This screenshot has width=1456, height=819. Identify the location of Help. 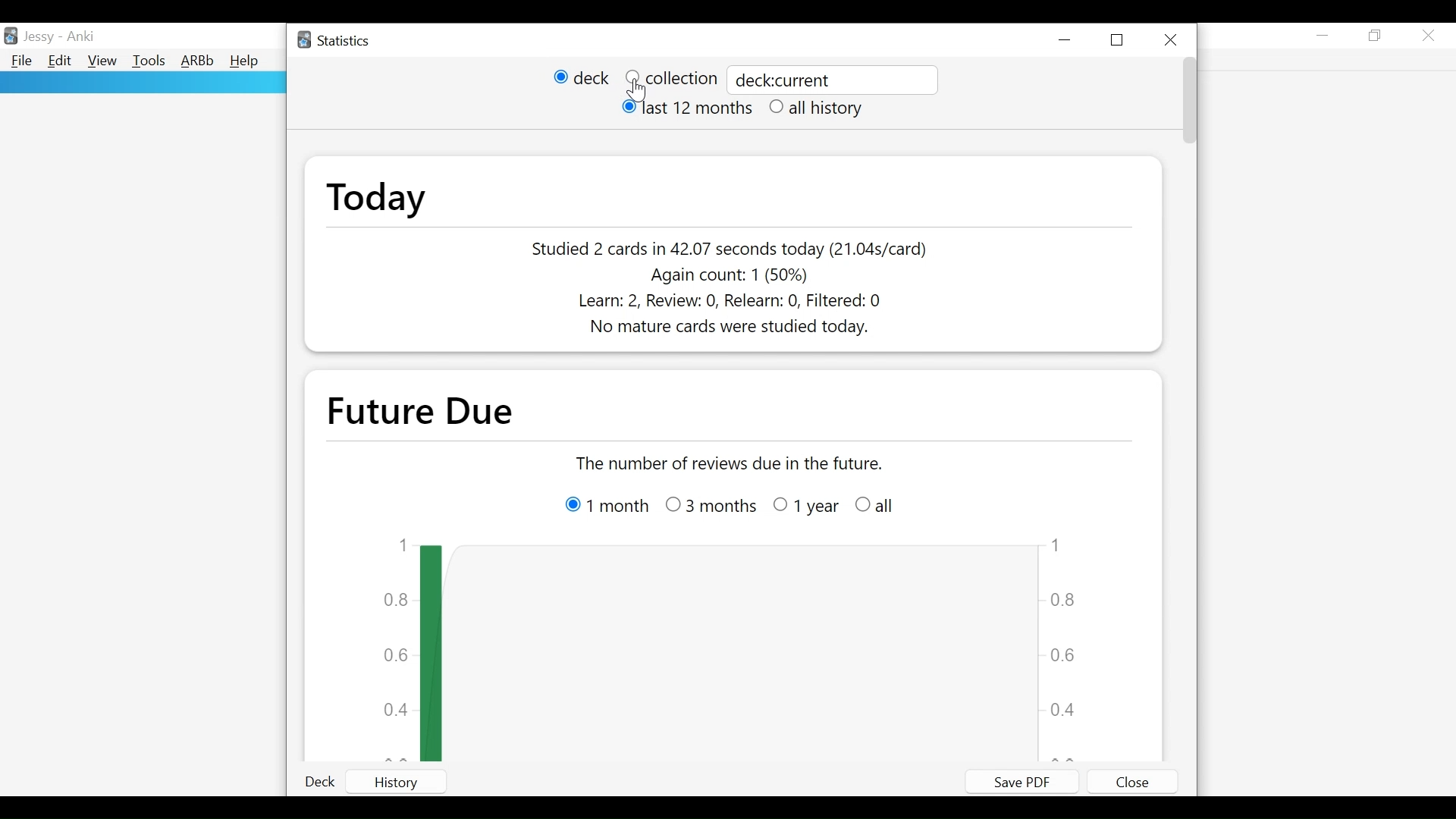
(247, 61).